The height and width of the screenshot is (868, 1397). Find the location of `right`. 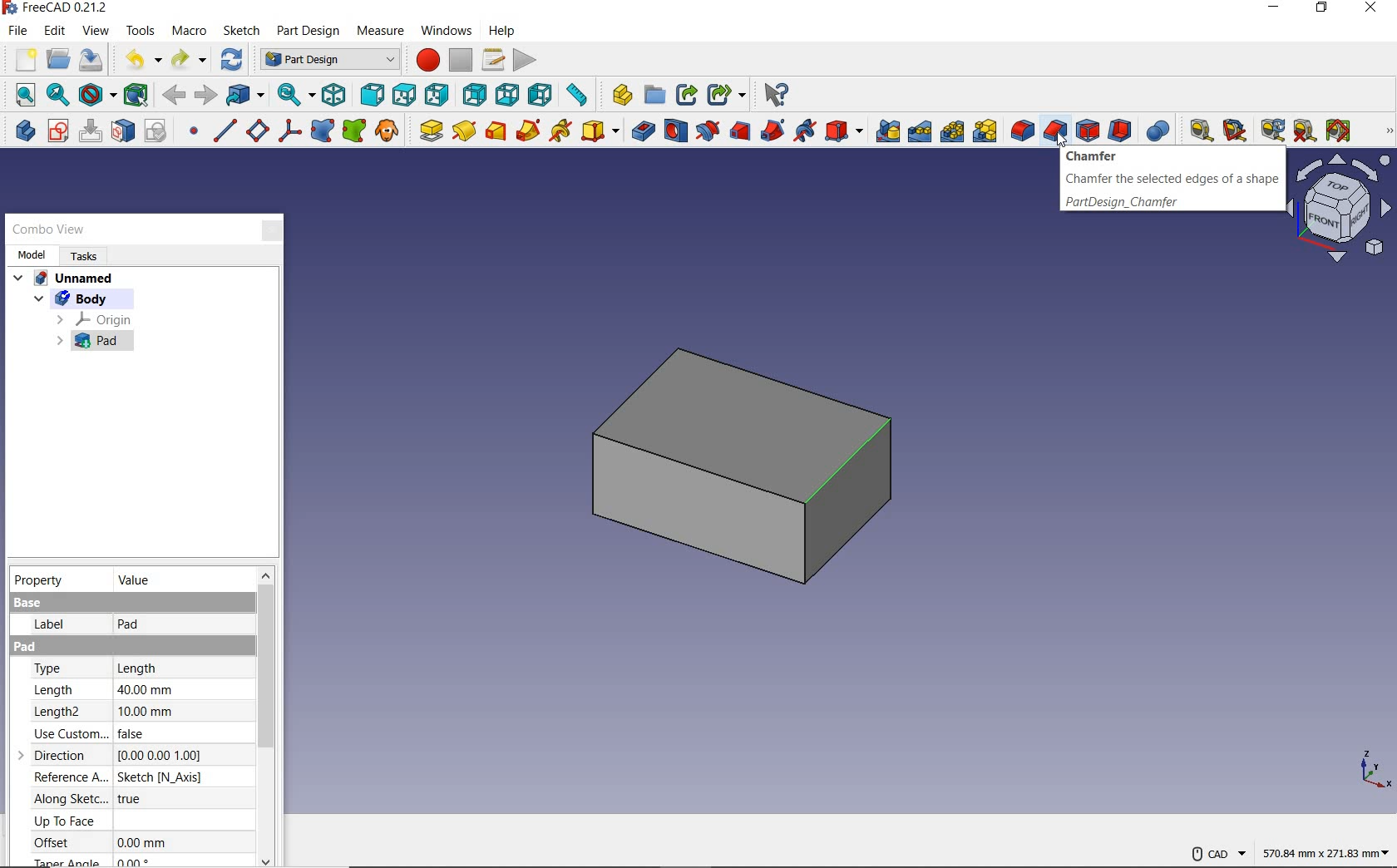

right is located at coordinates (437, 96).